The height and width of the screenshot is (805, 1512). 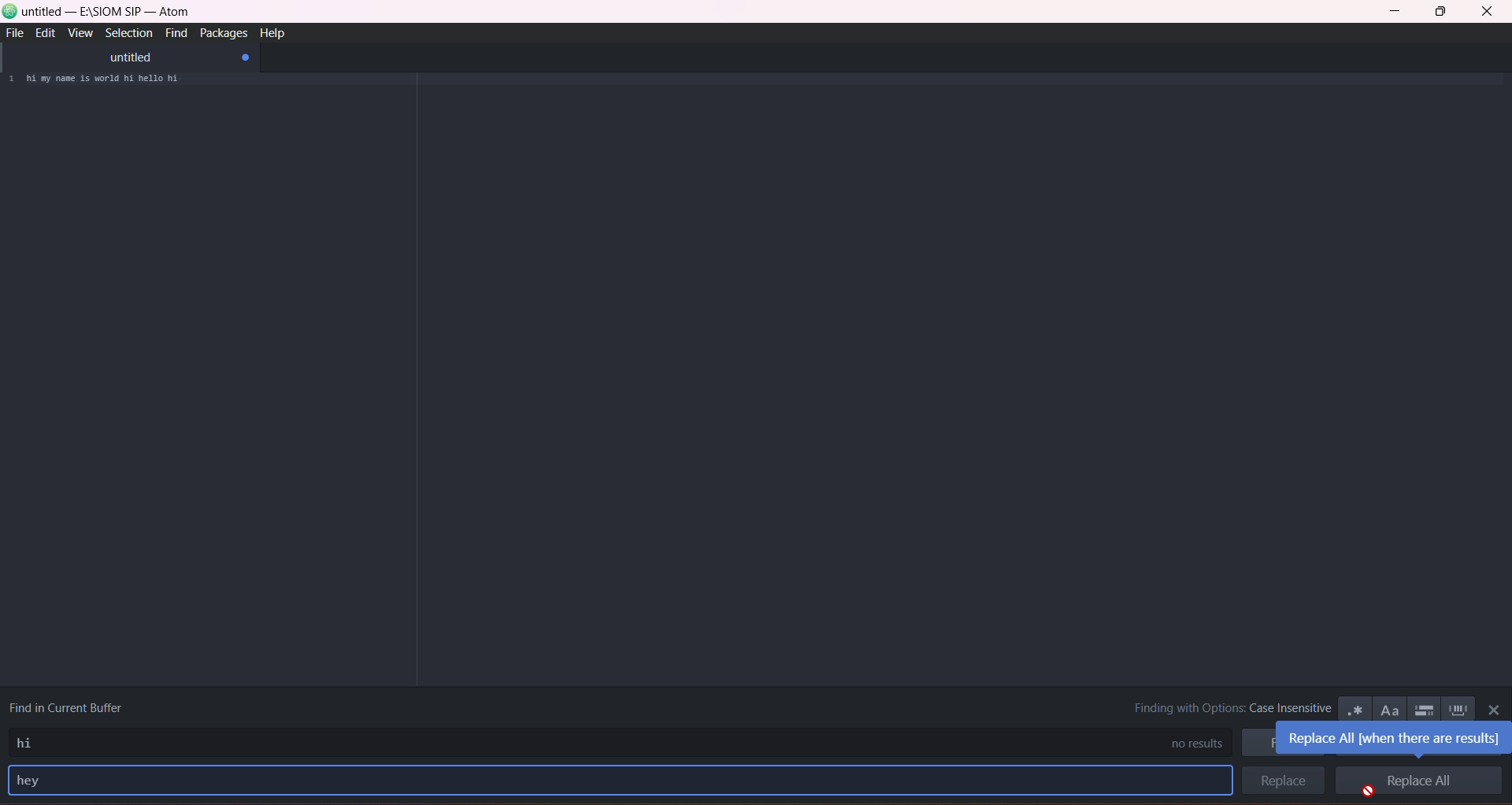 What do you see at coordinates (17, 33) in the screenshot?
I see `file` at bounding box center [17, 33].